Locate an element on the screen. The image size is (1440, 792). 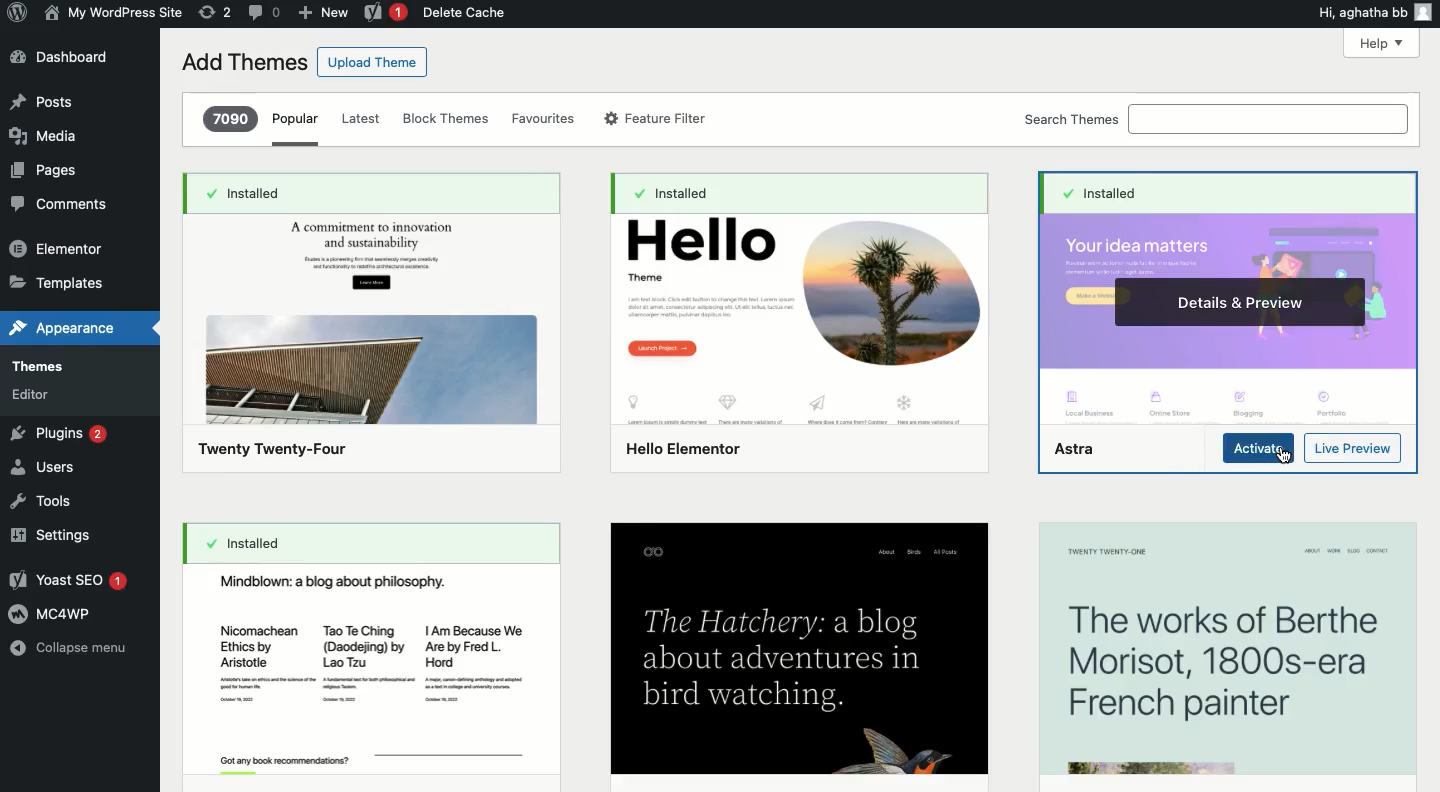
Astra Theme is located at coordinates (1229, 315).